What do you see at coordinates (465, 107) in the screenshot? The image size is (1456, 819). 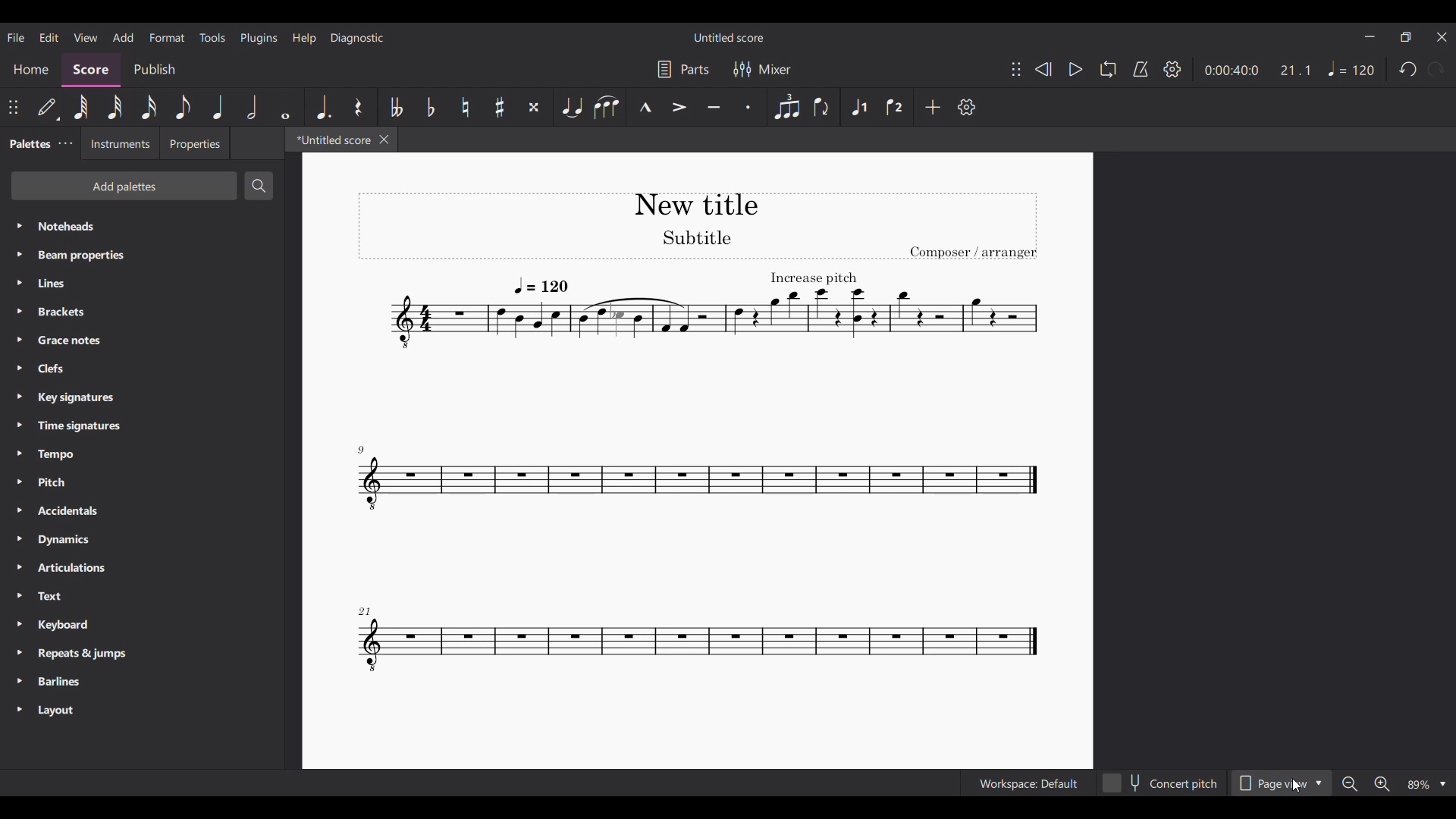 I see `Toggle natural` at bounding box center [465, 107].